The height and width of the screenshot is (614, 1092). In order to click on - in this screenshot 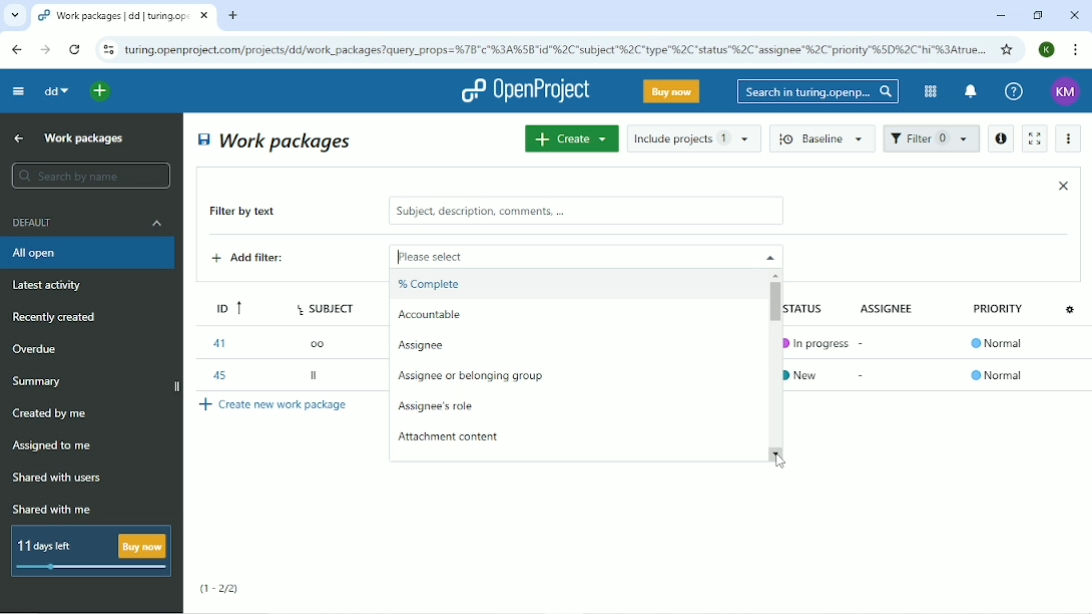, I will do `click(876, 344)`.